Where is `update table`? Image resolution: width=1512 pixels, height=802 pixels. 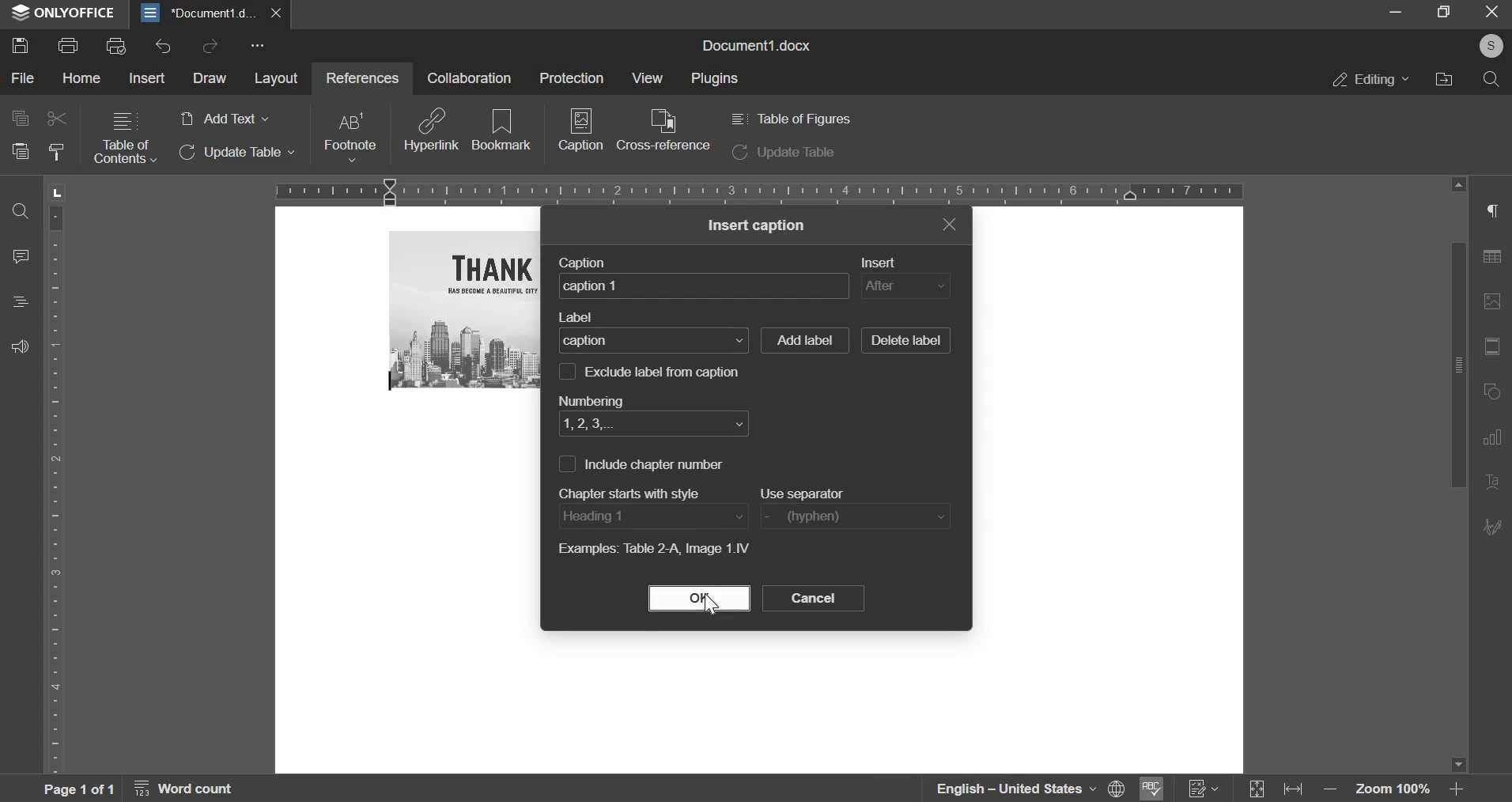
update table is located at coordinates (784, 153).